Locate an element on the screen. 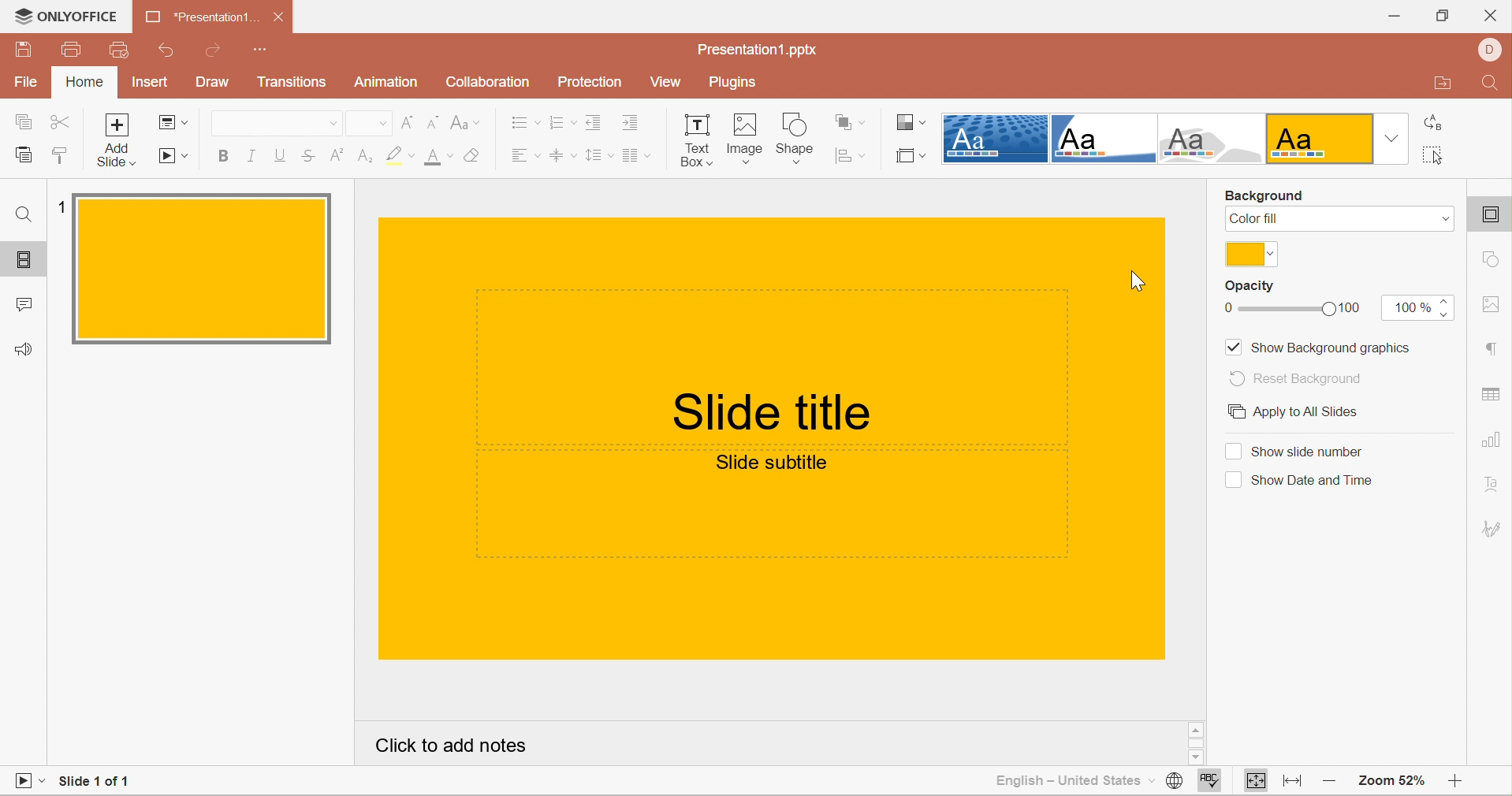 The width and height of the screenshot is (1512, 796). Set document language is located at coordinates (1173, 780).